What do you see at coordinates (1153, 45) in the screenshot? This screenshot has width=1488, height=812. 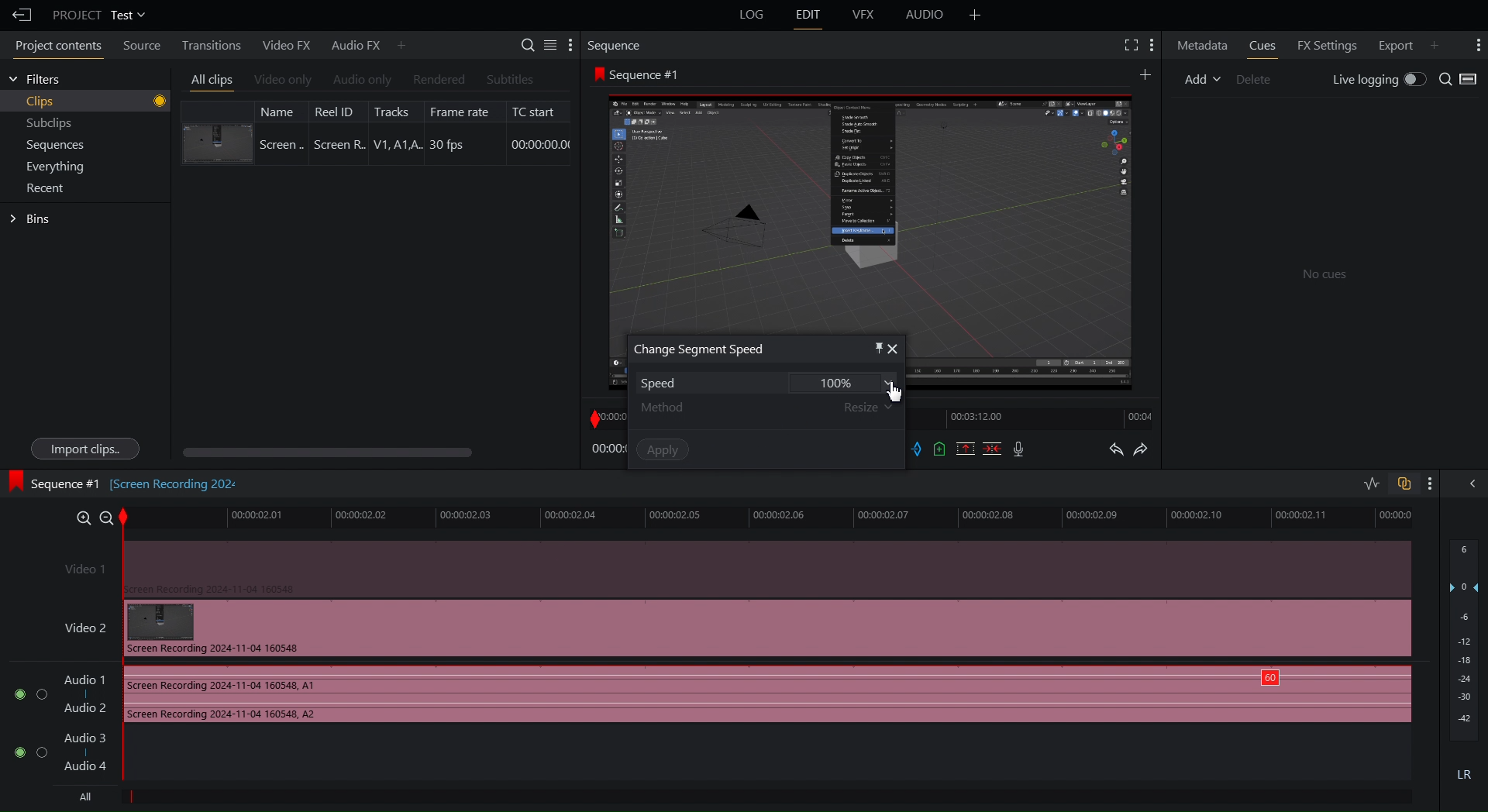 I see `More` at bounding box center [1153, 45].